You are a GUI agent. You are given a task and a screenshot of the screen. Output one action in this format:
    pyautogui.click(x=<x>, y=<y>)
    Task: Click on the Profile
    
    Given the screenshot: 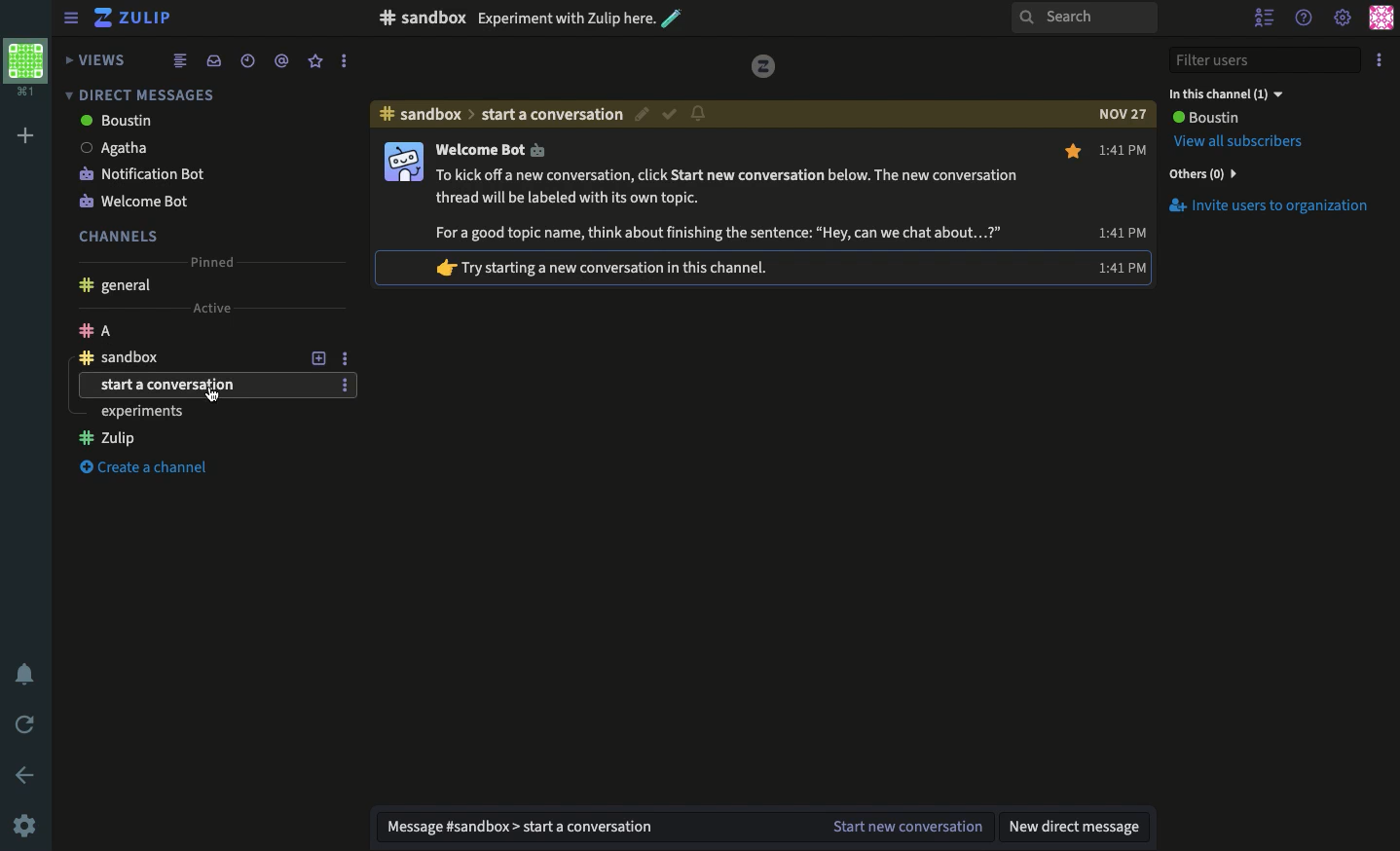 What is the action you would take?
    pyautogui.click(x=402, y=163)
    